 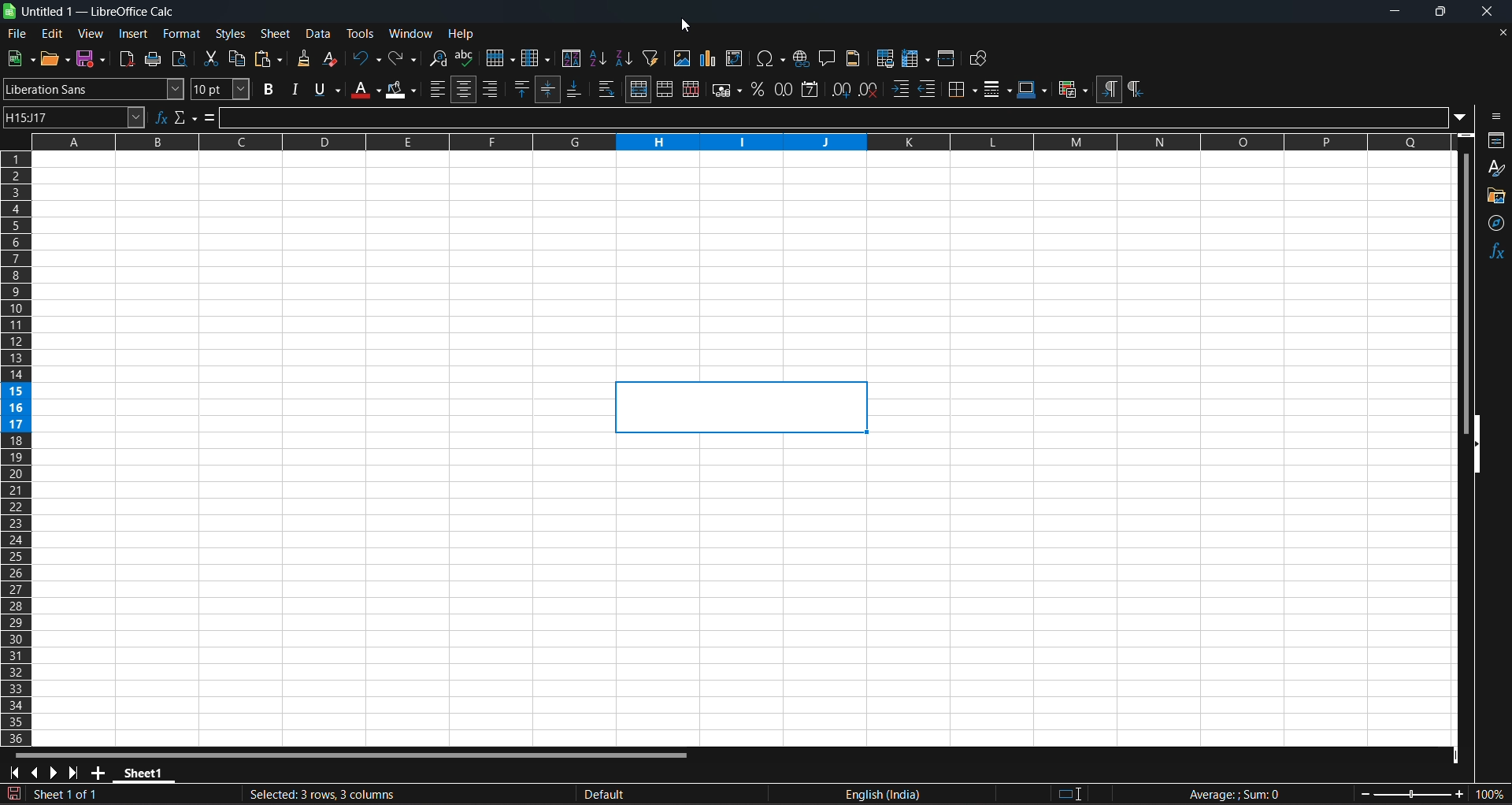 I want to click on tools, so click(x=361, y=35).